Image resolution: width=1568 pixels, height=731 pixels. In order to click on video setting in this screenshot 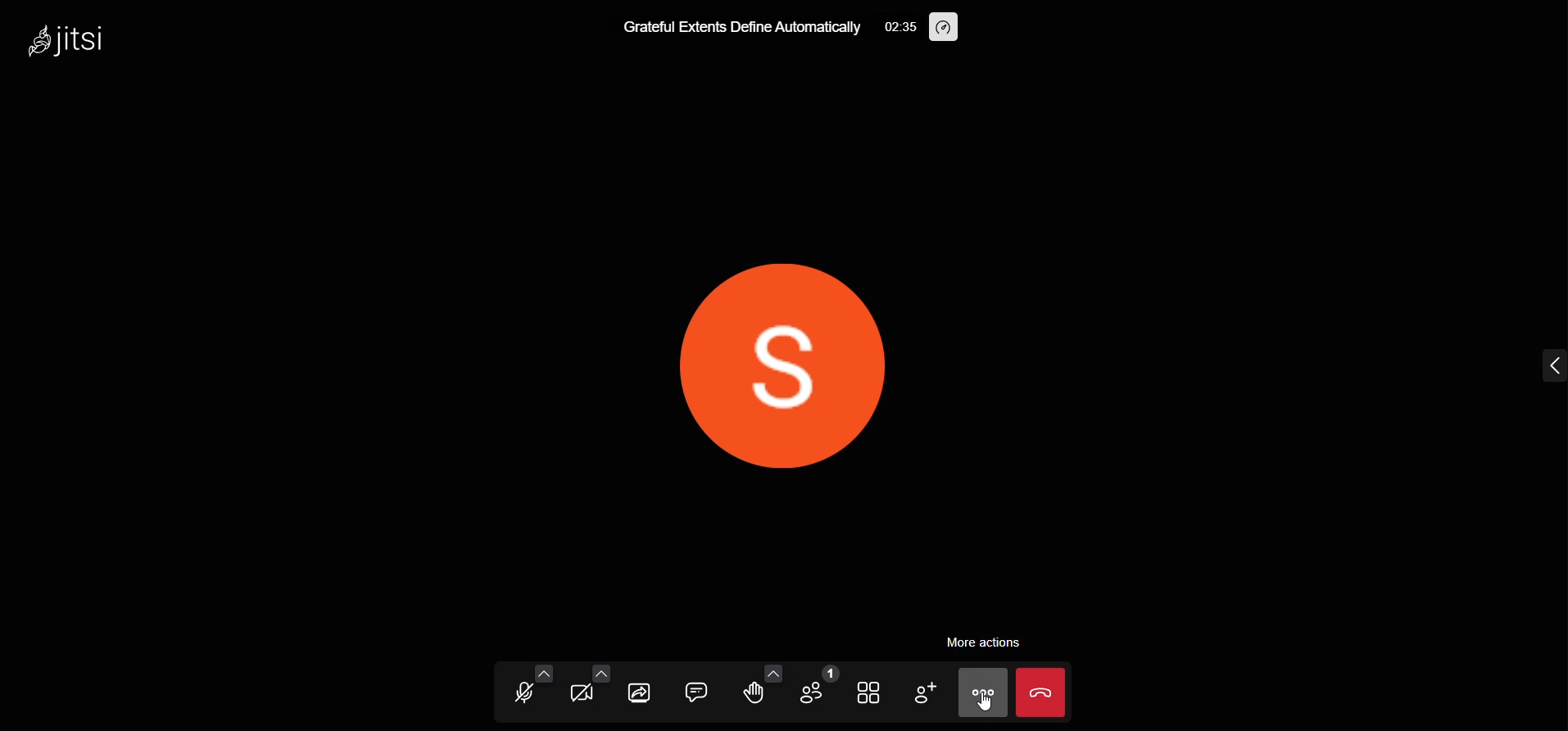, I will do `click(600, 673)`.